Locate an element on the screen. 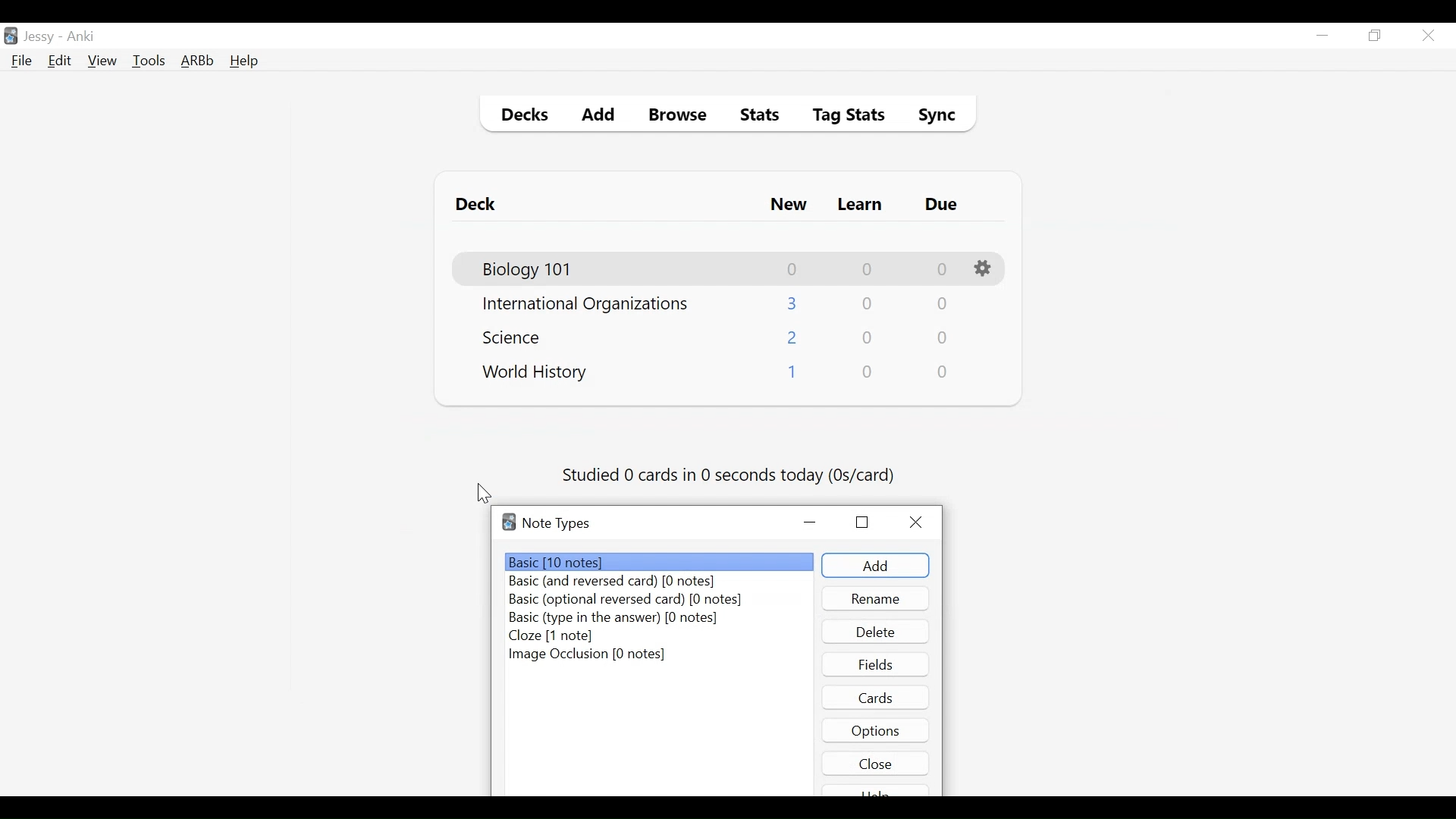 The width and height of the screenshot is (1456, 819). Studied number of cards in second today (os/card) is located at coordinates (730, 476).